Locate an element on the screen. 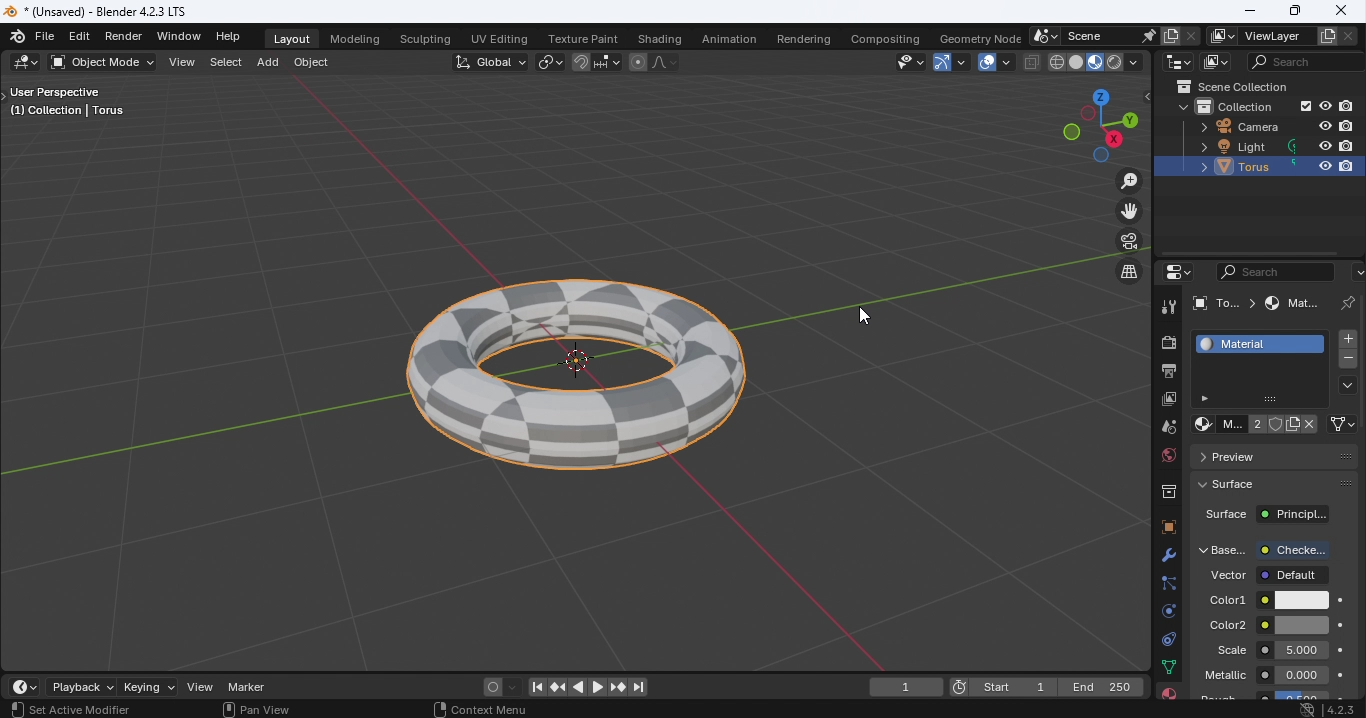 Image resolution: width=1366 pixels, height=718 pixels. Editor type is located at coordinates (28, 63).